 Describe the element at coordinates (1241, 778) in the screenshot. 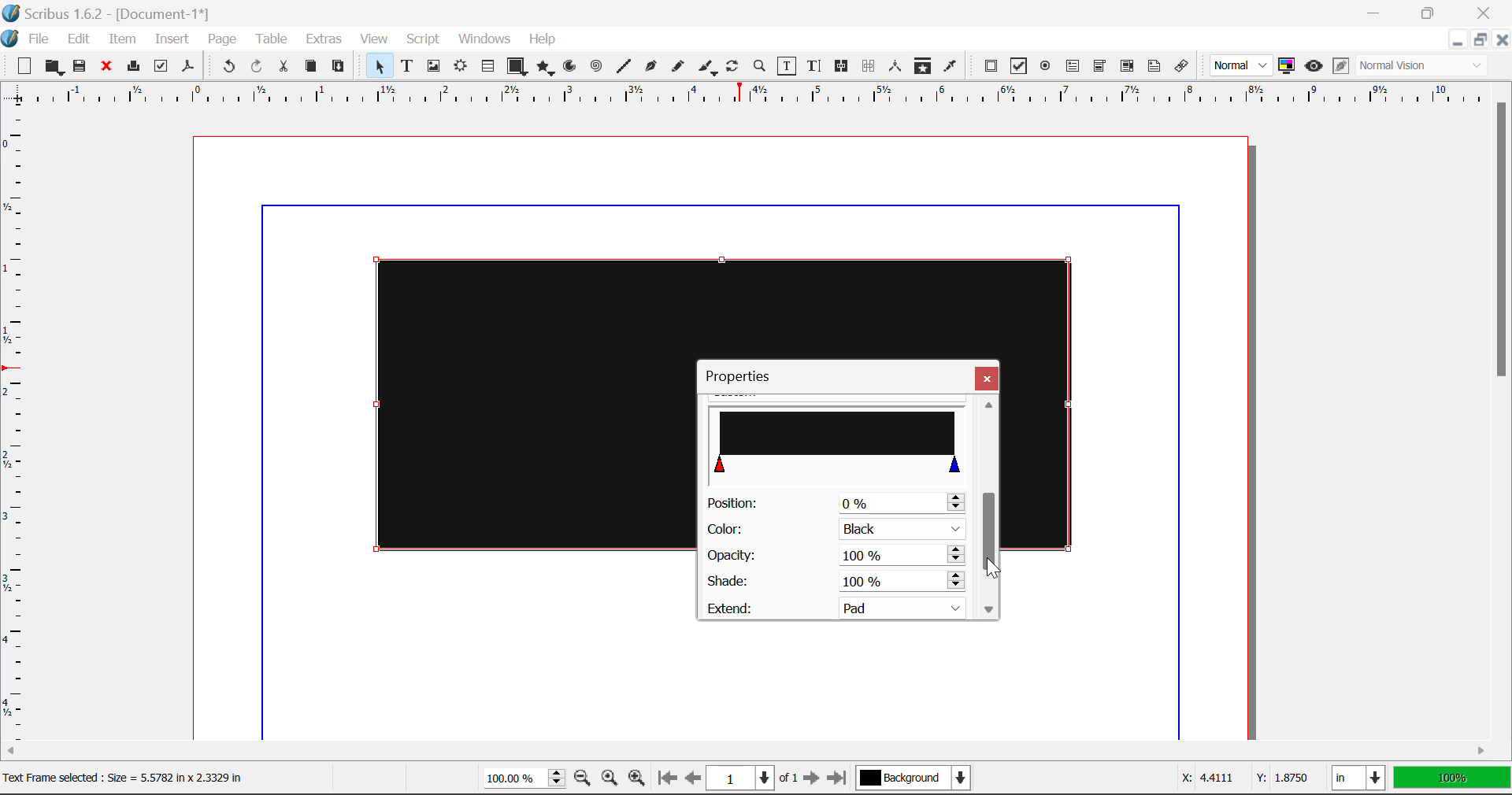

I see `Cursor Coordinates` at that location.